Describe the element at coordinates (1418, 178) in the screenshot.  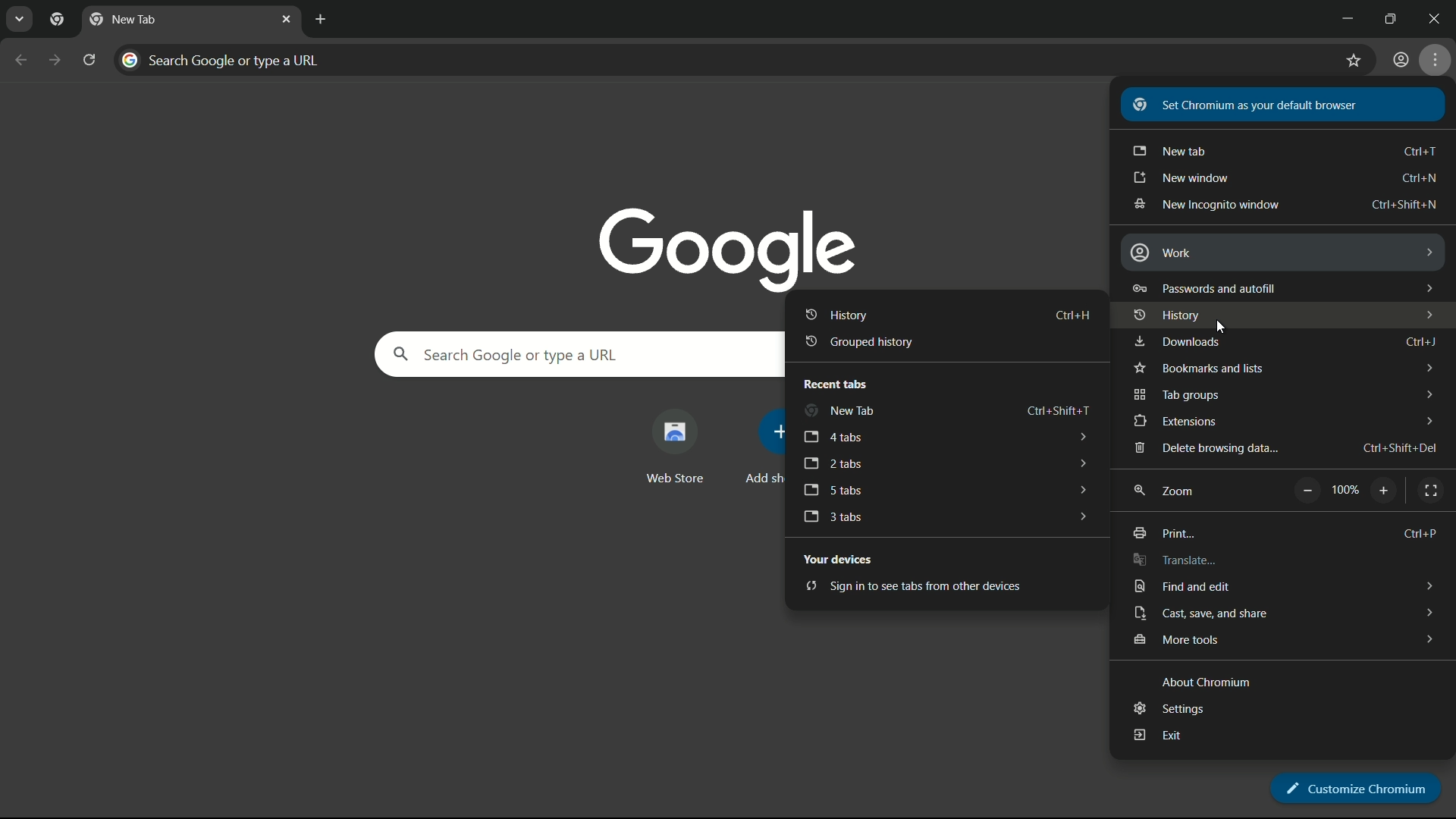
I see `shortcut key` at that location.